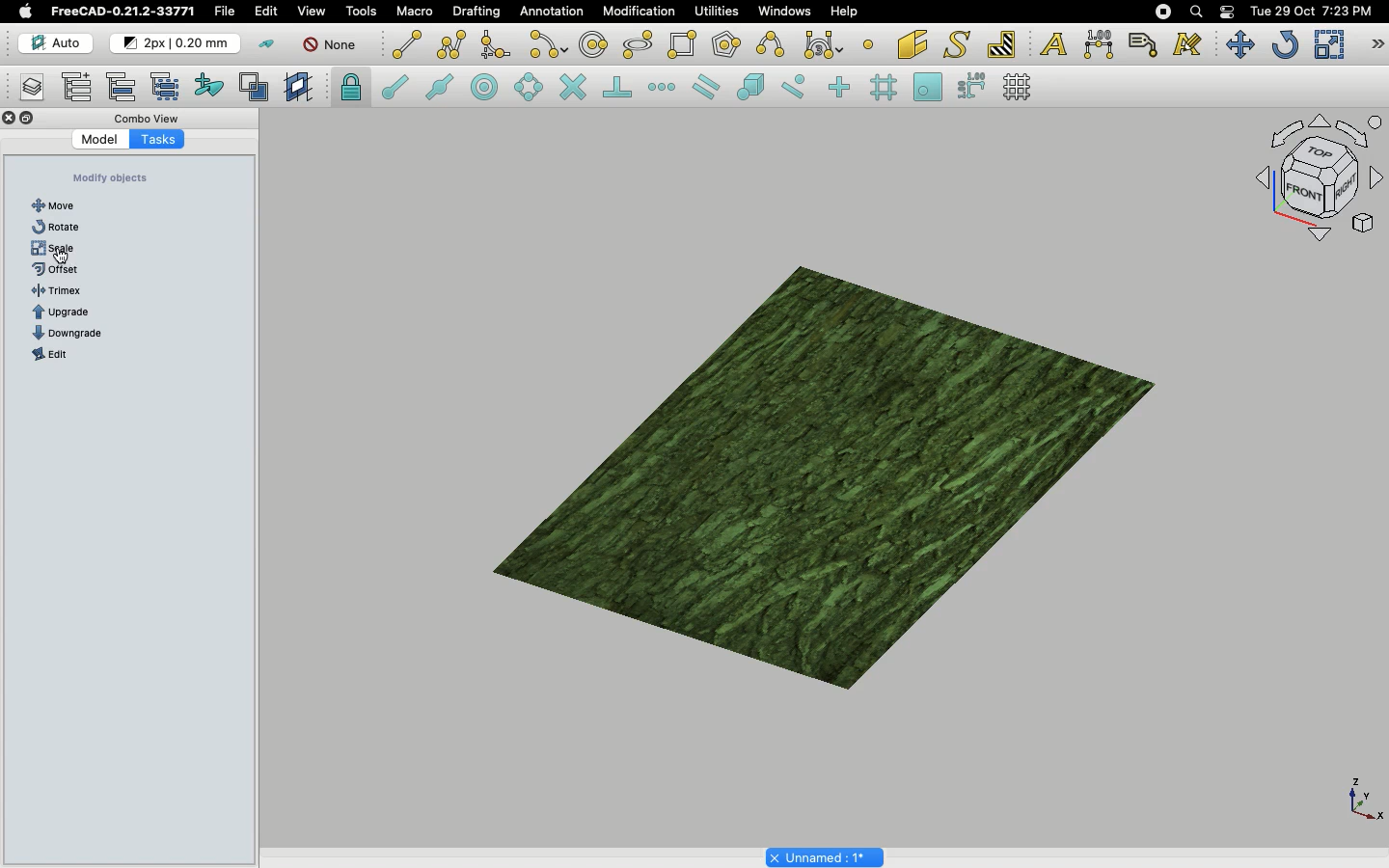 The width and height of the screenshot is (1389, 868). I want to click on Create working plane proxy, so click(301, 89).